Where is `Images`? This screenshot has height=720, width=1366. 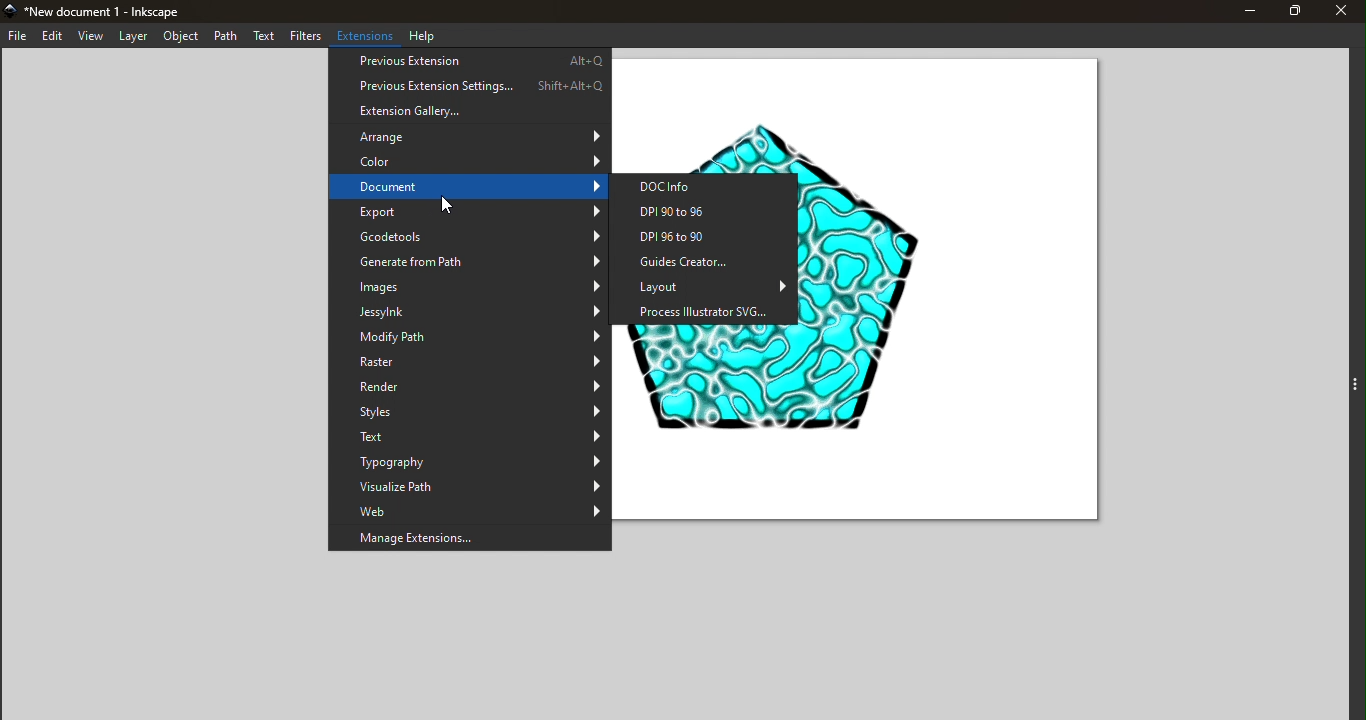
Images is located at coordinates (469, 286).